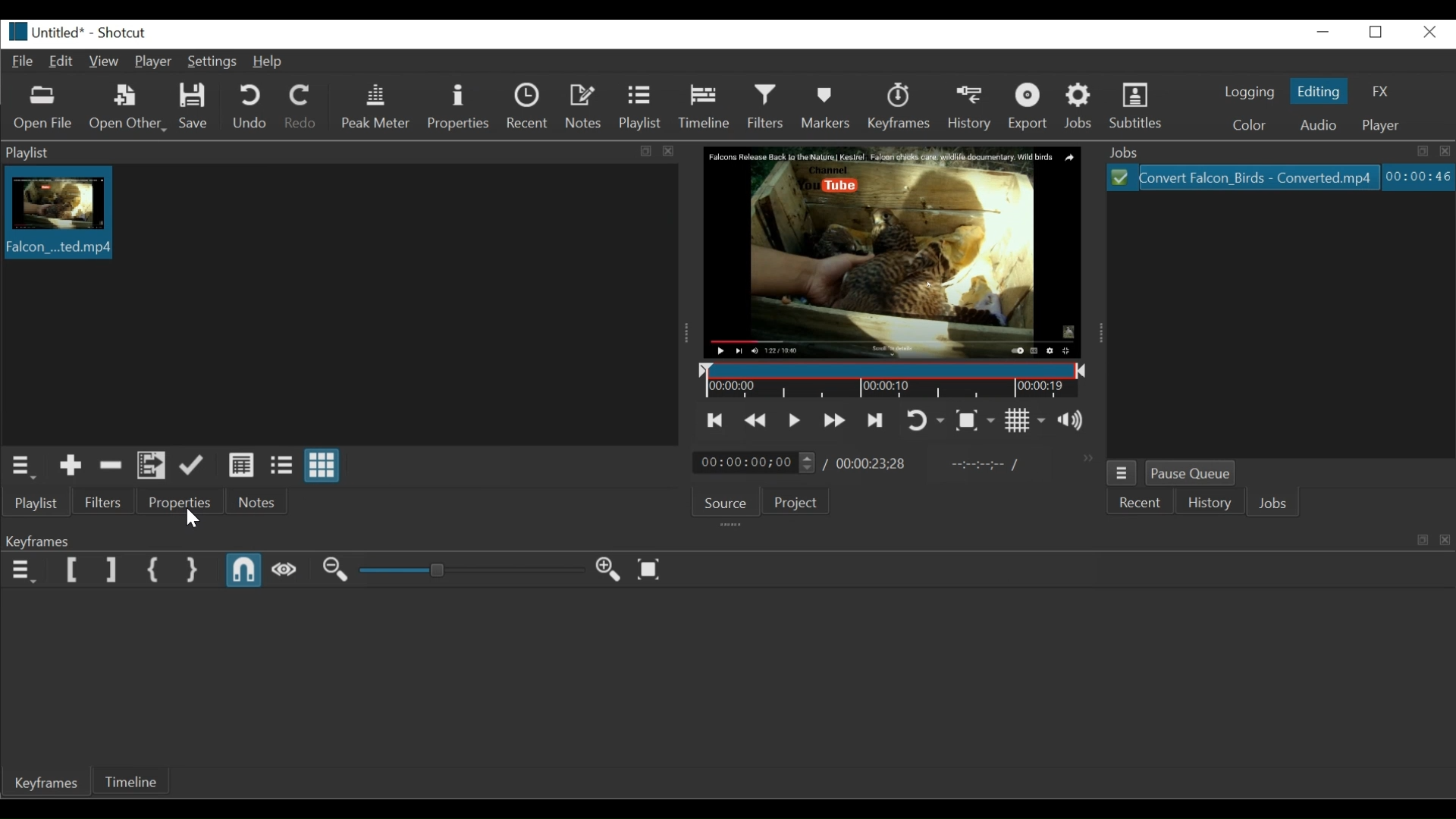 This screenshot has height=819, width=1456. Describe the element at coordinates (281, 466) in the screenshot. I see `View as files` at that location.